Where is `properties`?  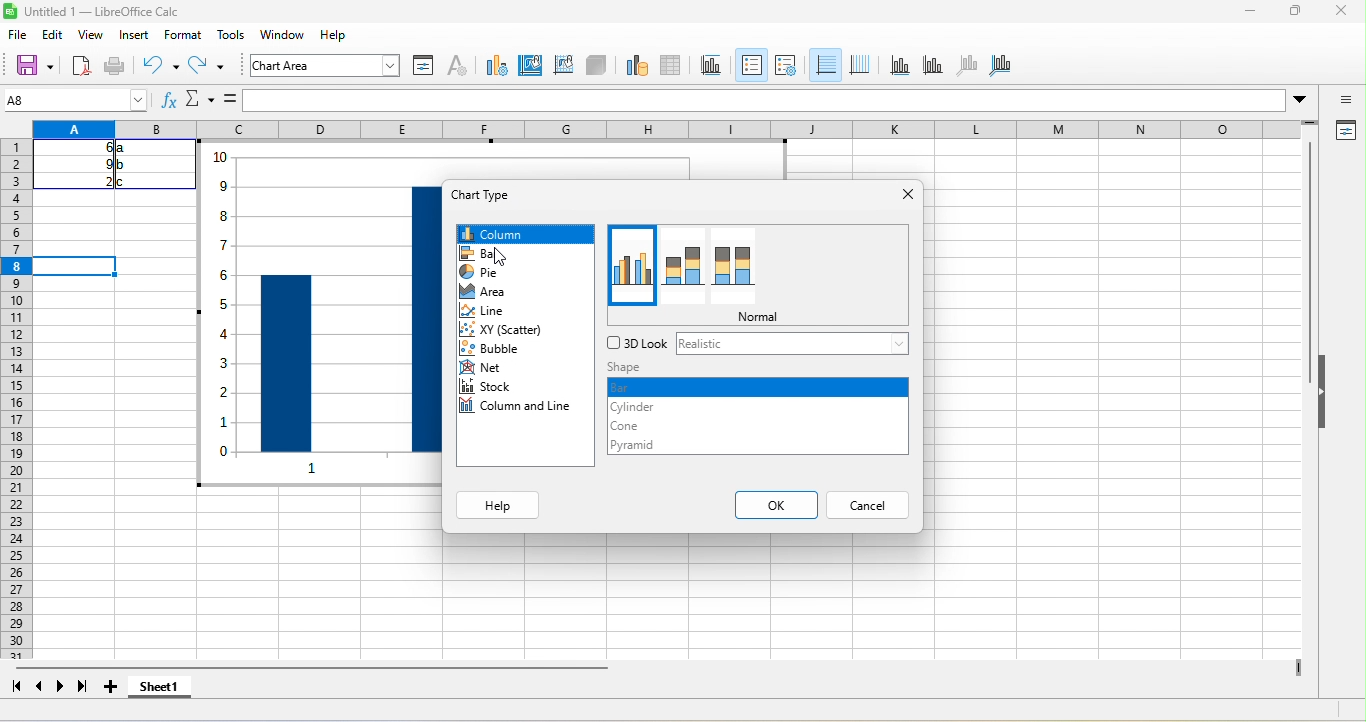
properties is located at coordinates (1347, 130).